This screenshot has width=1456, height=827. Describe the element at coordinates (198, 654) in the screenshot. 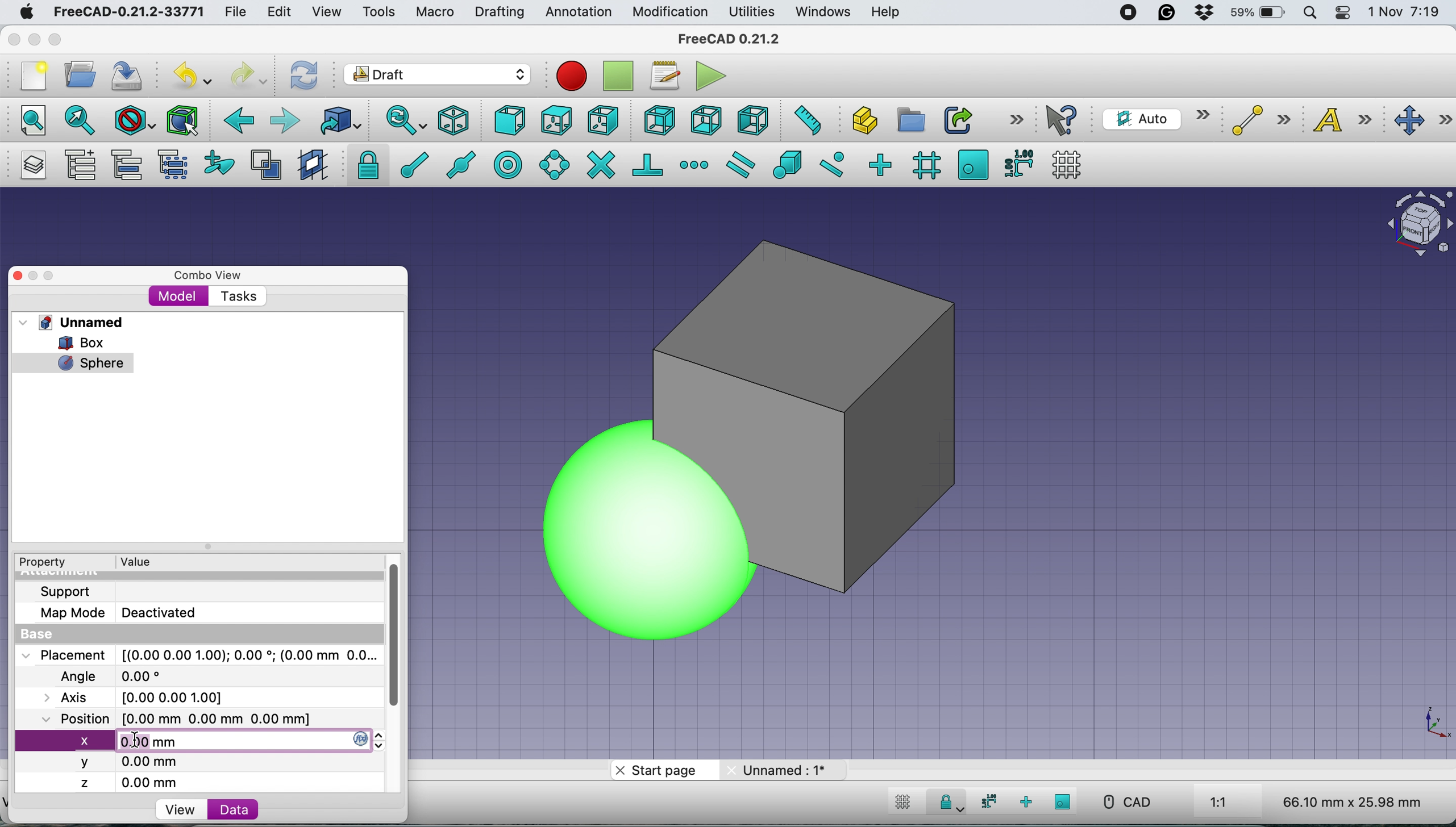

I see `placement` at that location.